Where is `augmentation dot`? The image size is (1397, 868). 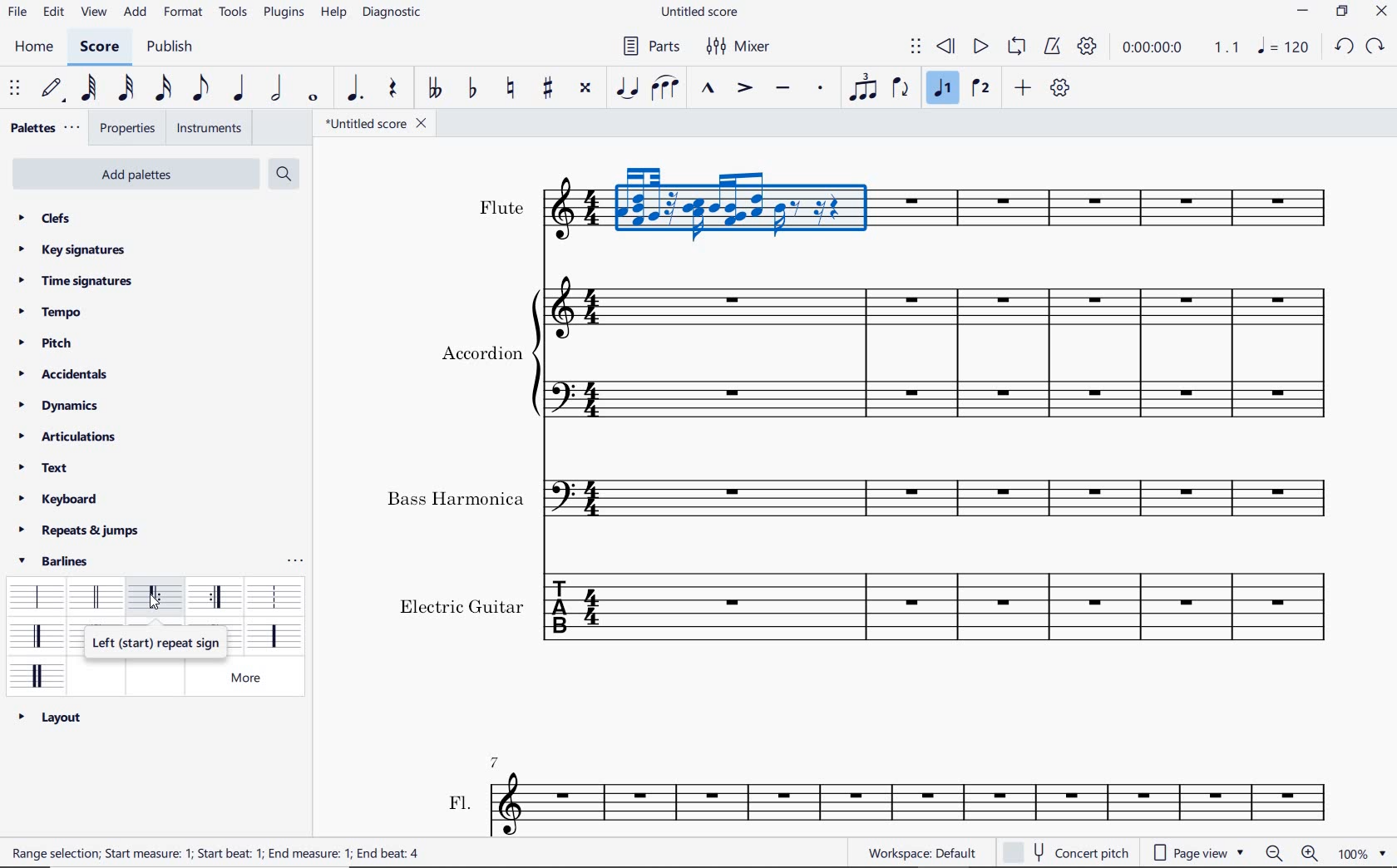
augmentation dot is located at coordinates (352, 89).